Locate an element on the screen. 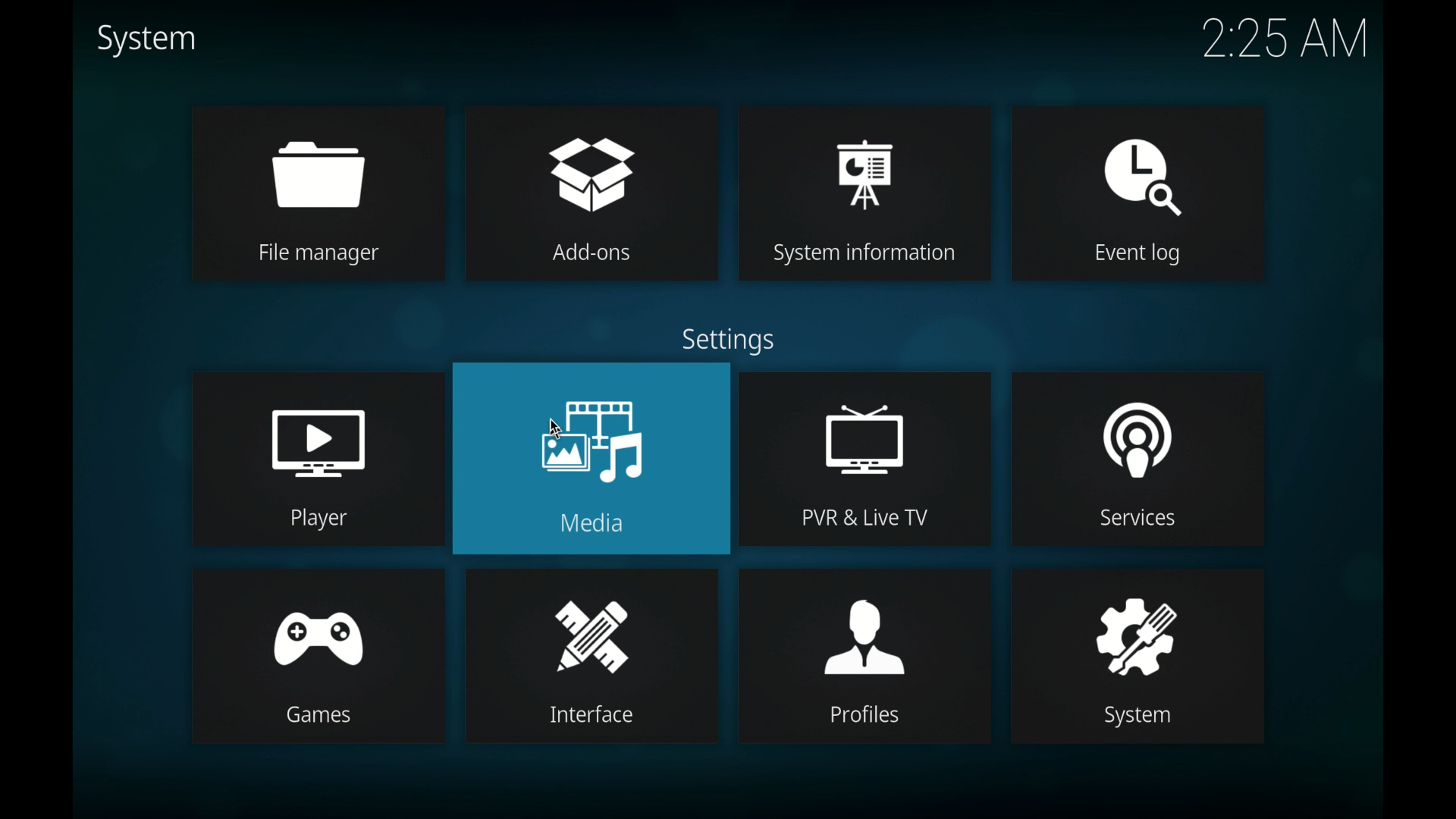 This screenshot has height=819, width=1456. File manager is located at coordinates (318, 255).